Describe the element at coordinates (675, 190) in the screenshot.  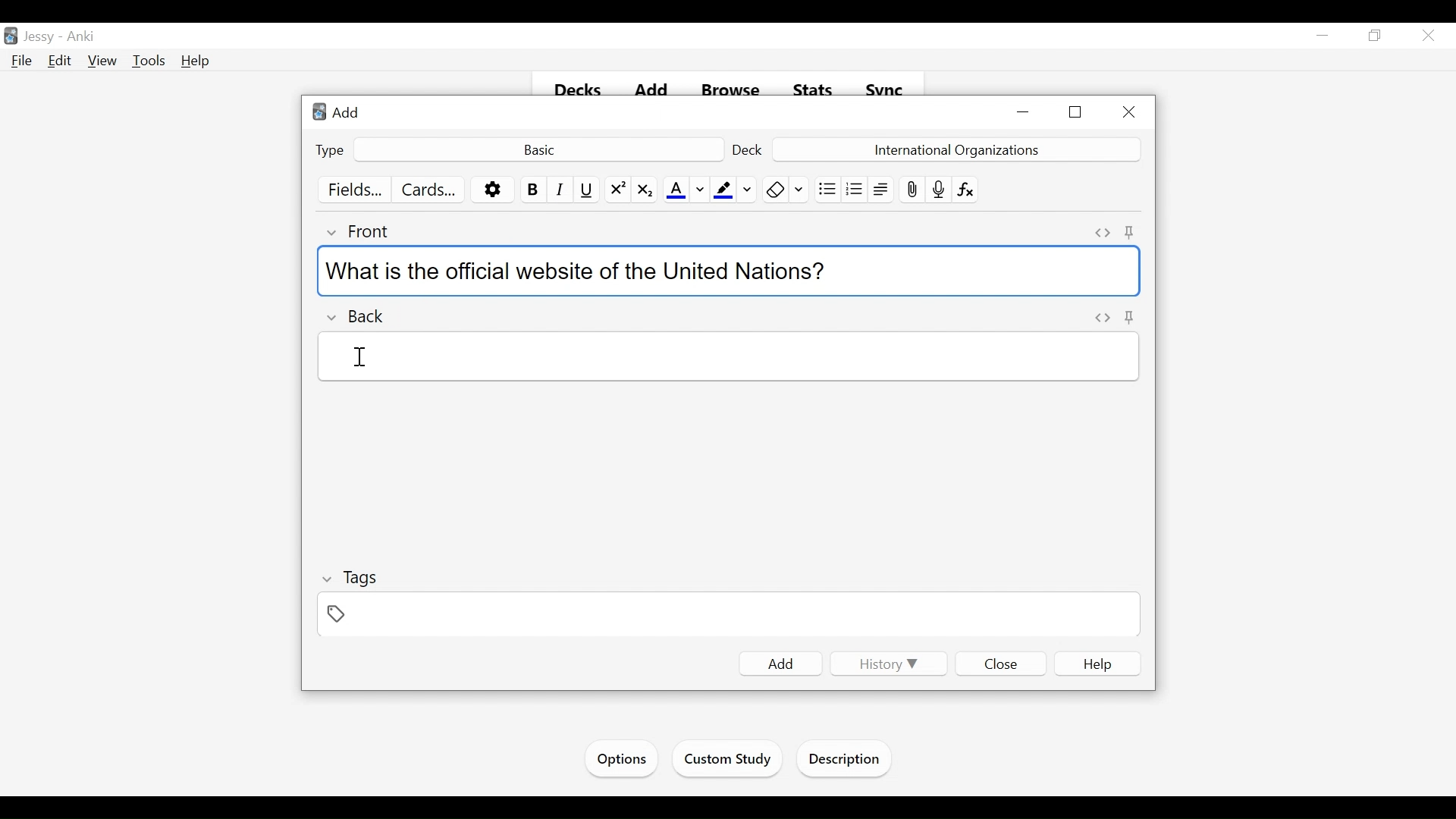
I see `Text Color` at that location.